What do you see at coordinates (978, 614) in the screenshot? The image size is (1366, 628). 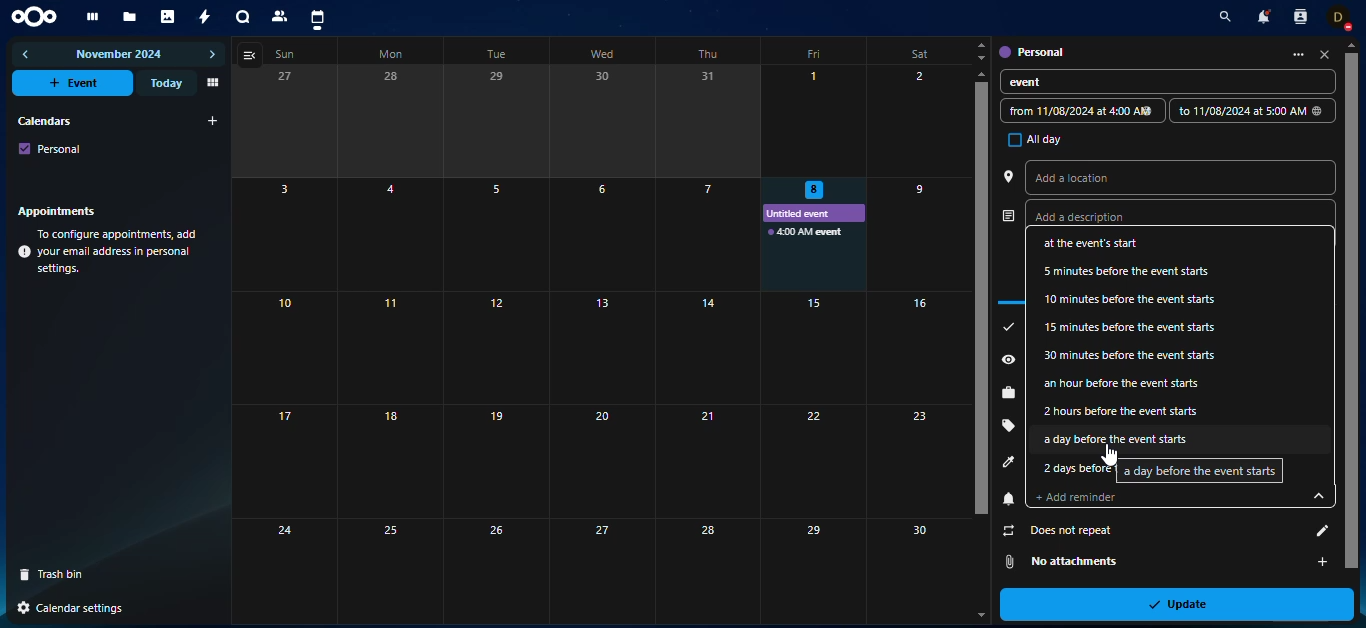 I see `Scroll down` at bounding box center [978, 614].